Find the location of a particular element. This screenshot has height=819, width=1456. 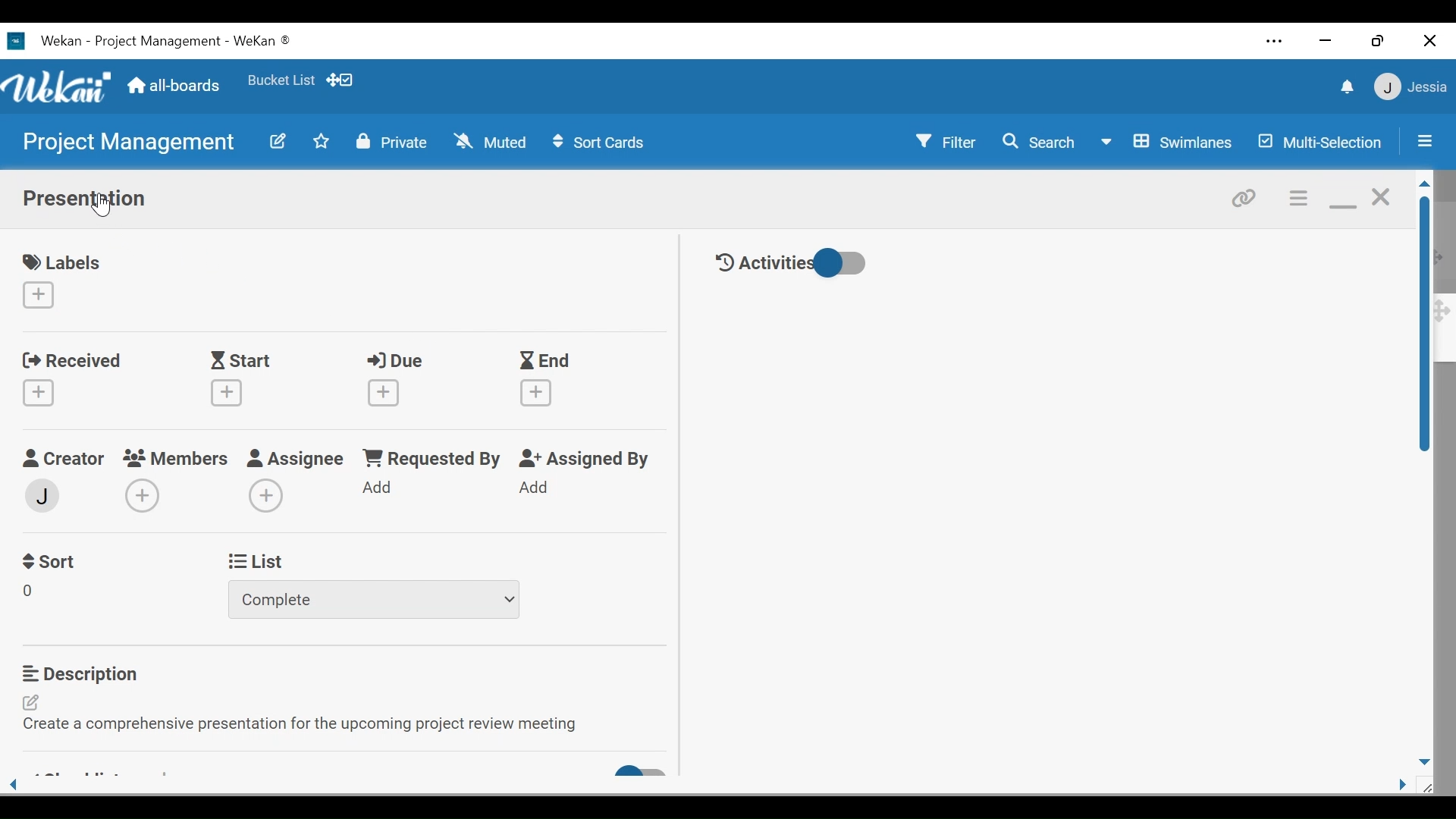

Received Date is located at coordinates (71, 359).